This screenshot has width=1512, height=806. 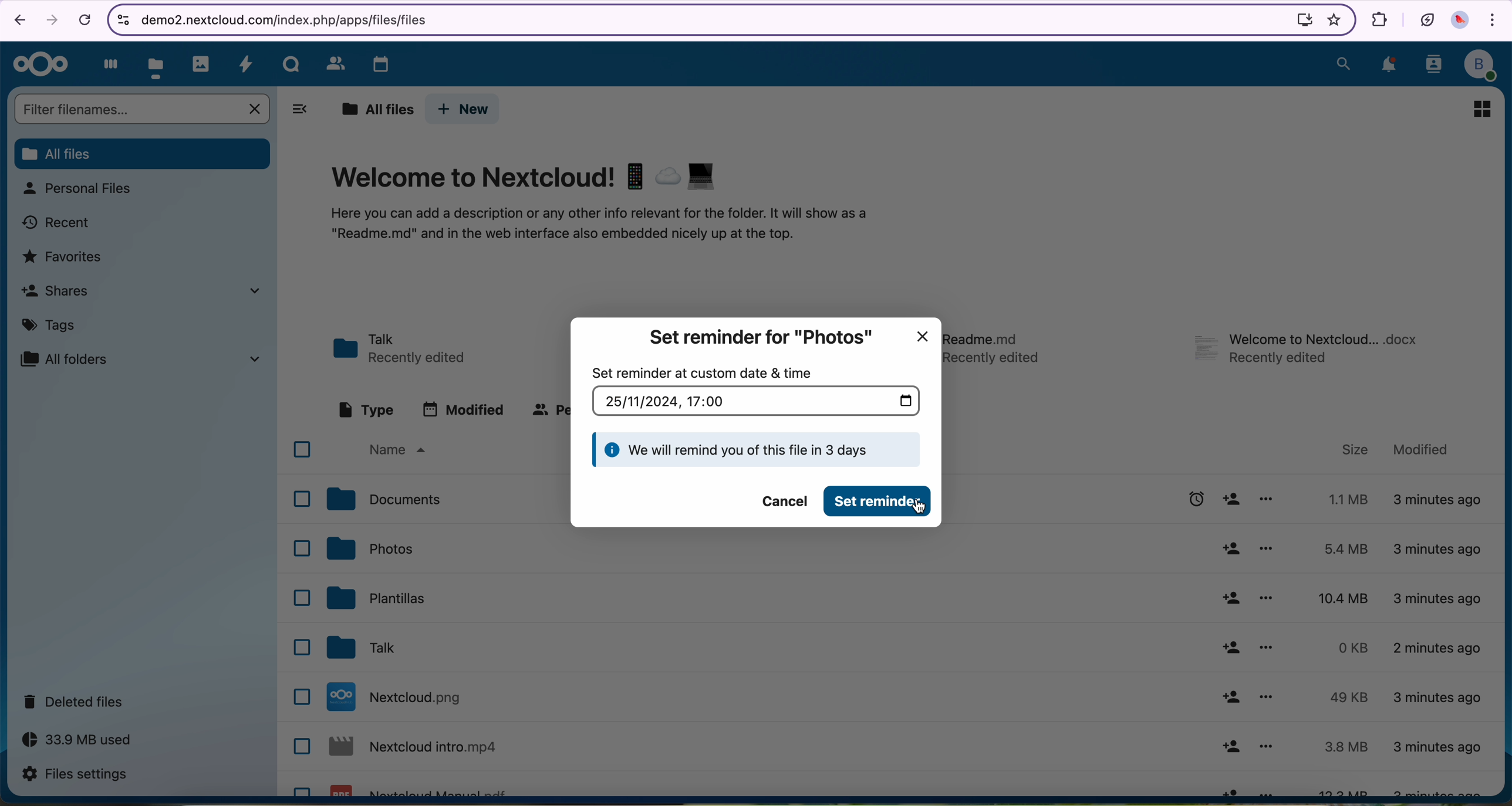 I want to click on more options, so click(x=1266, y=698).